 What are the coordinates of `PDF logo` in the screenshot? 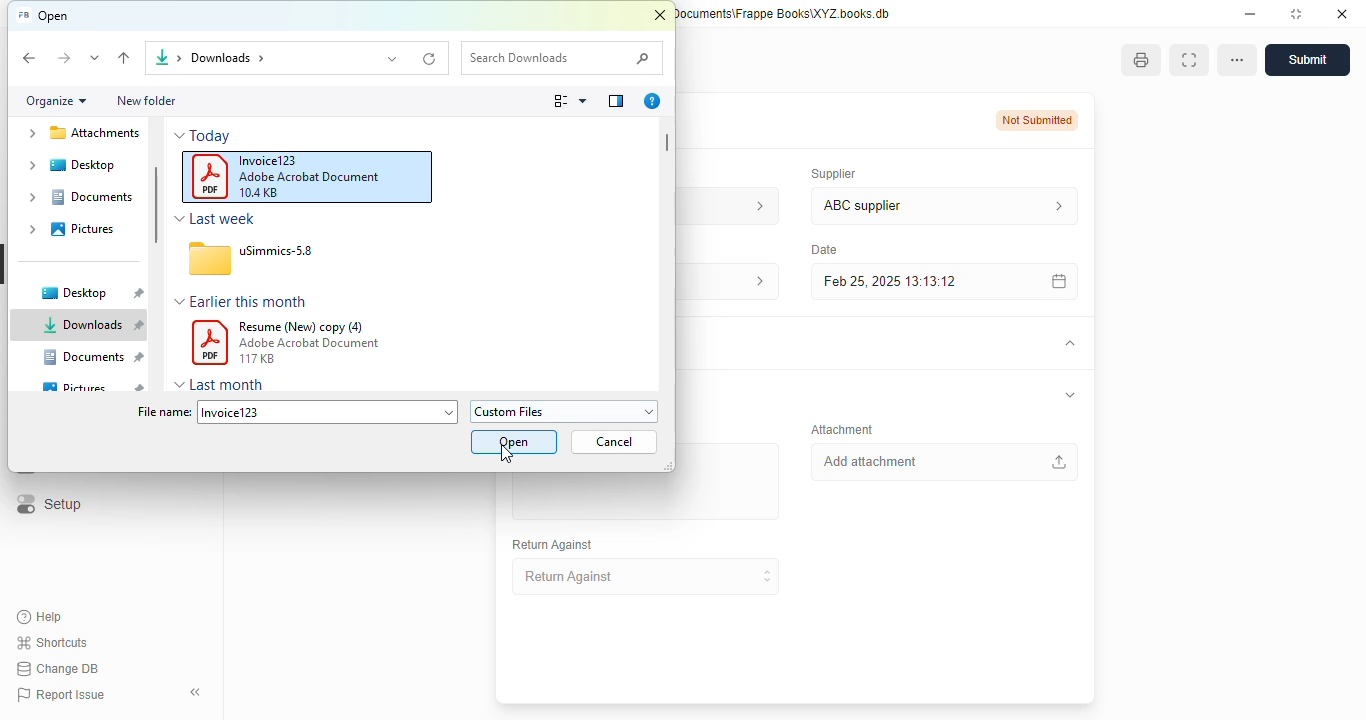 It's located at (210, 343).